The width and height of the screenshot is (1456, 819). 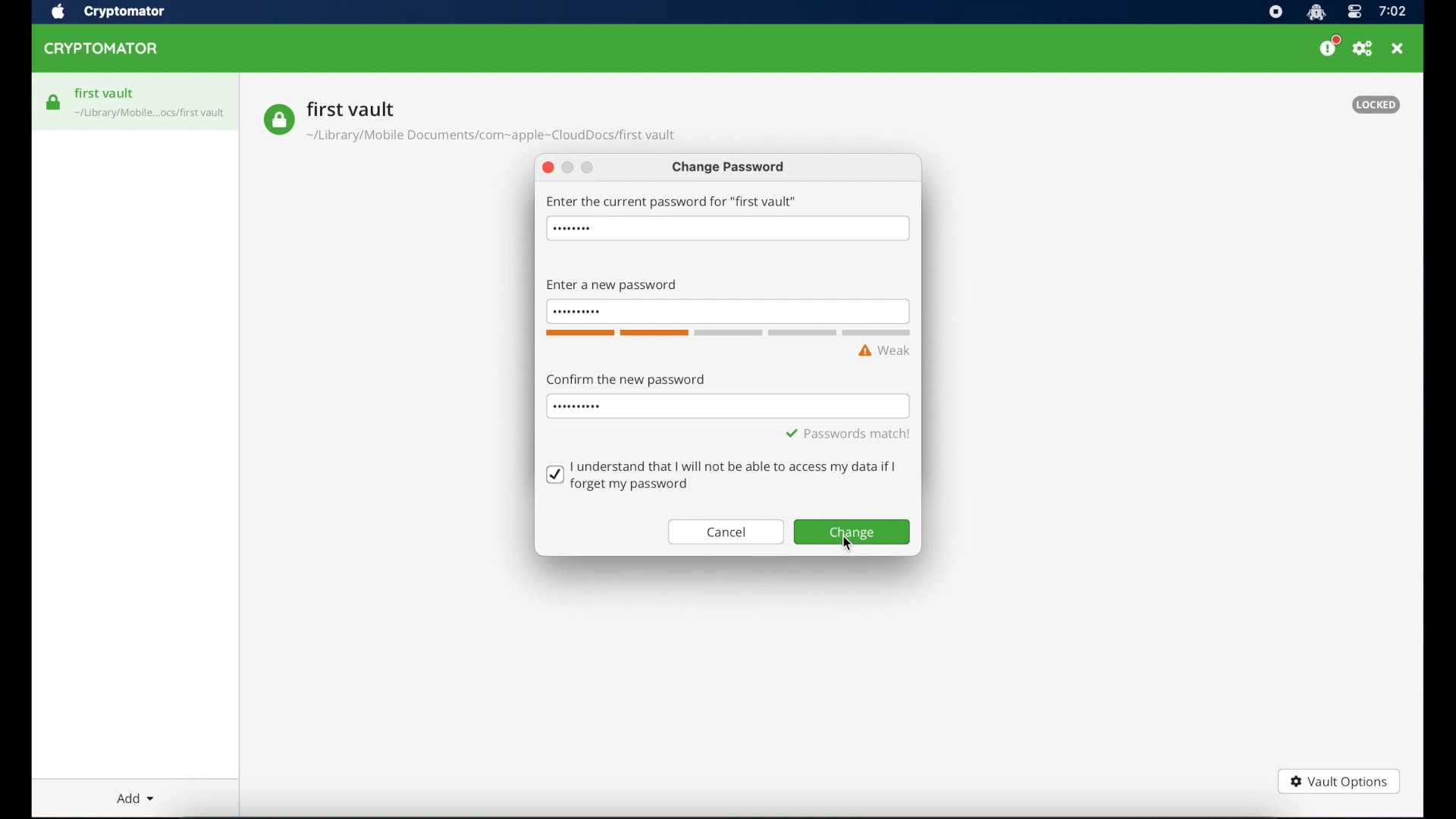 What do you see at coordinates (554, 474) in the screenshot?
I see `checkmark` at bounding box center [554, 474].